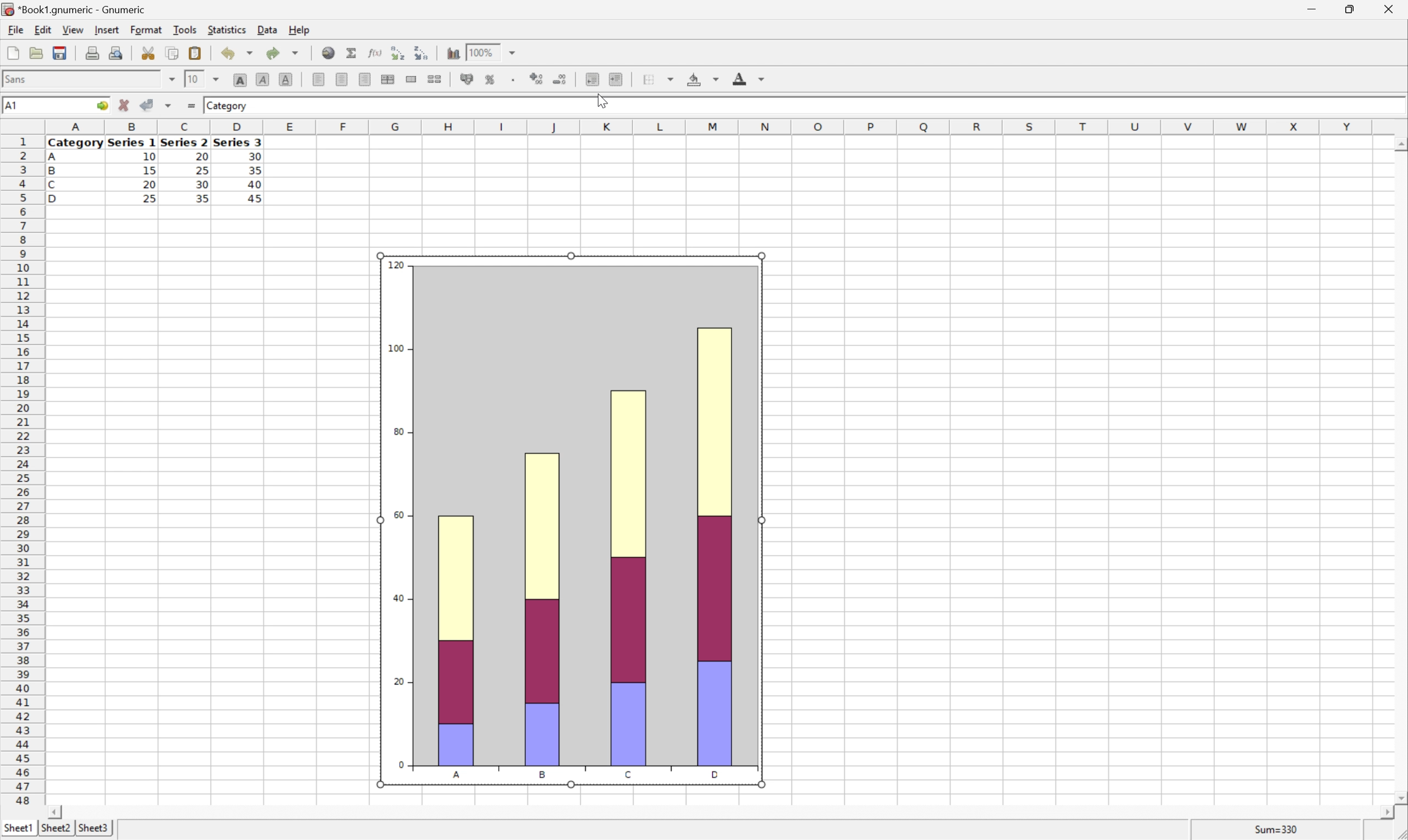  What do you see at coordinates (95, 828) in the screenshot?
I see `Sheet3` at bounding box center [95, 828].